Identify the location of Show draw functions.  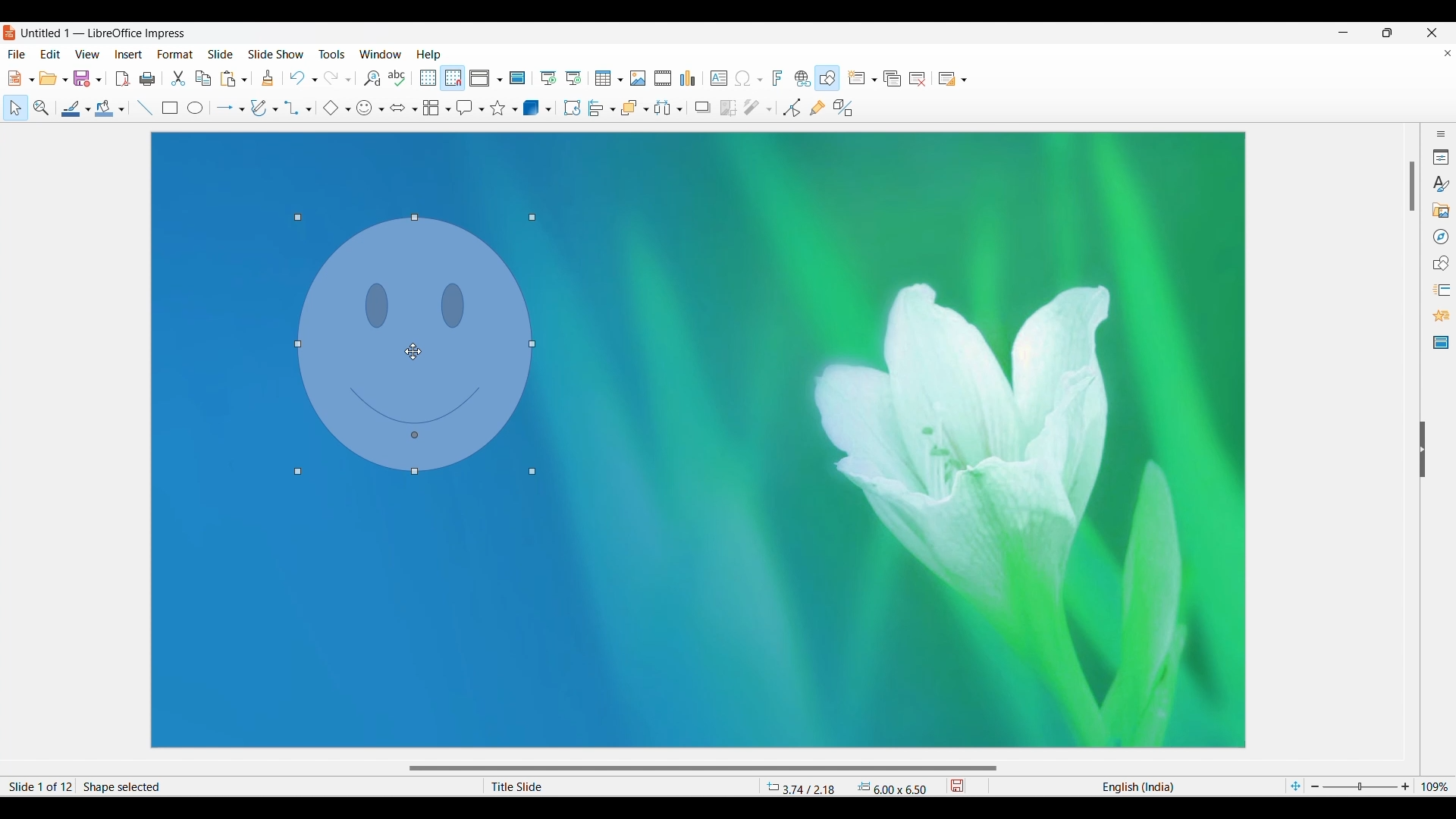
(827, 78).